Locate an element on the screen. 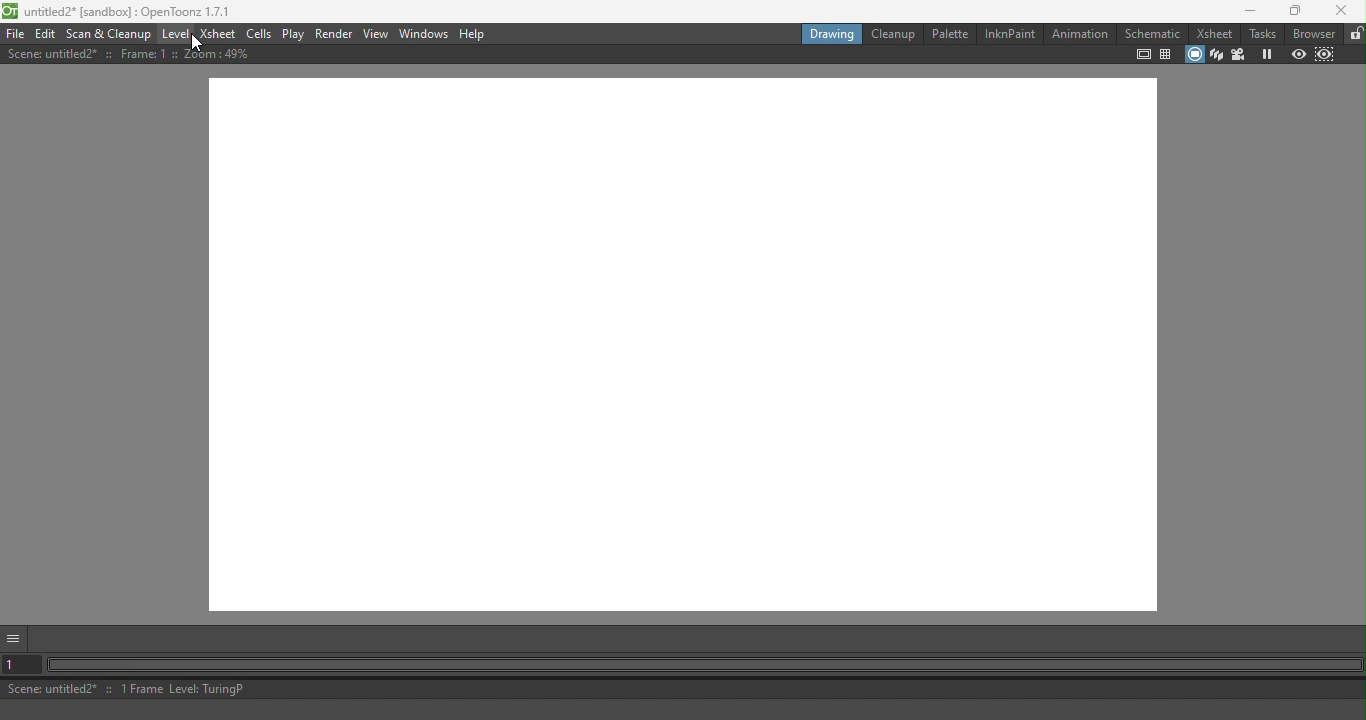 The width and height of the screenshot is (1366, 720). Freeze is located at coordinates (1262, 54).